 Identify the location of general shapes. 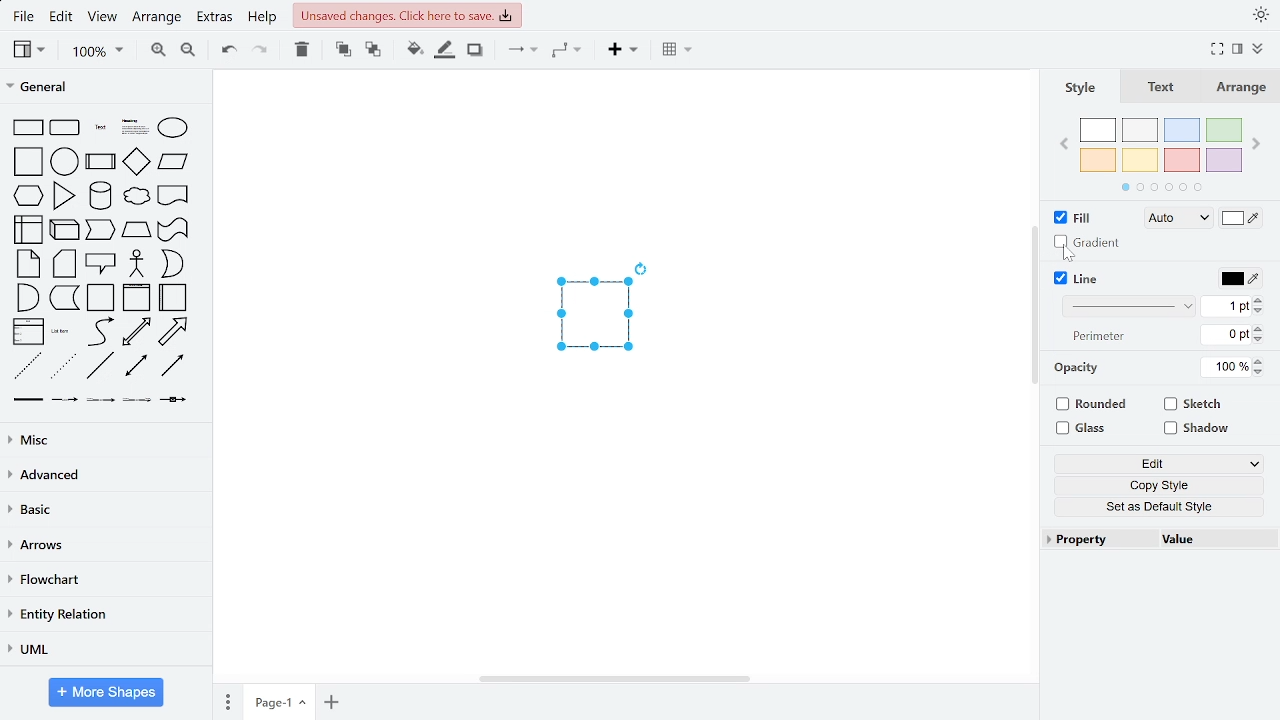
(97, 230).